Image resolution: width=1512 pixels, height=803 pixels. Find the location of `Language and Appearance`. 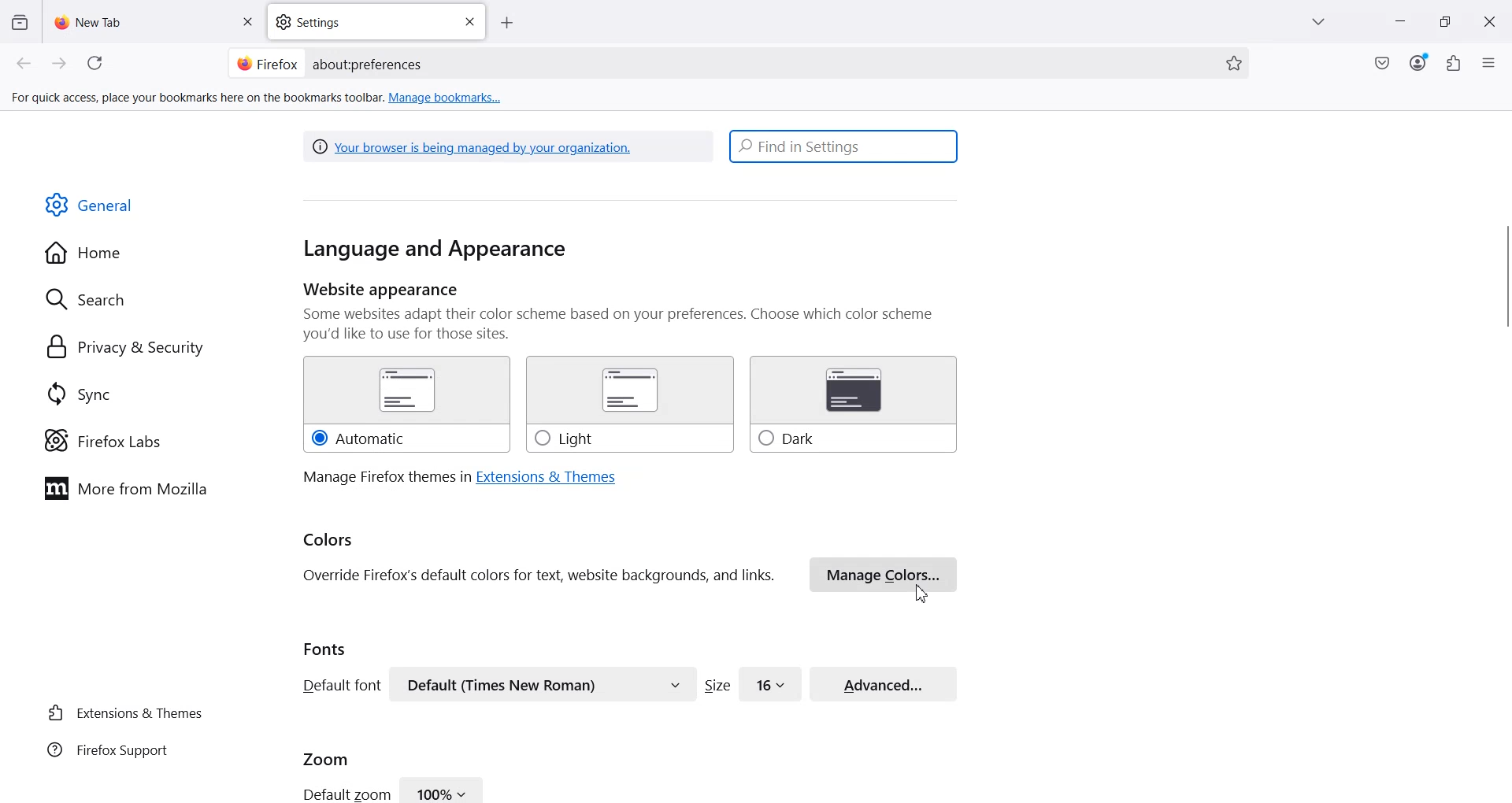

Language and Appearance is located at coordinates (435, 250).